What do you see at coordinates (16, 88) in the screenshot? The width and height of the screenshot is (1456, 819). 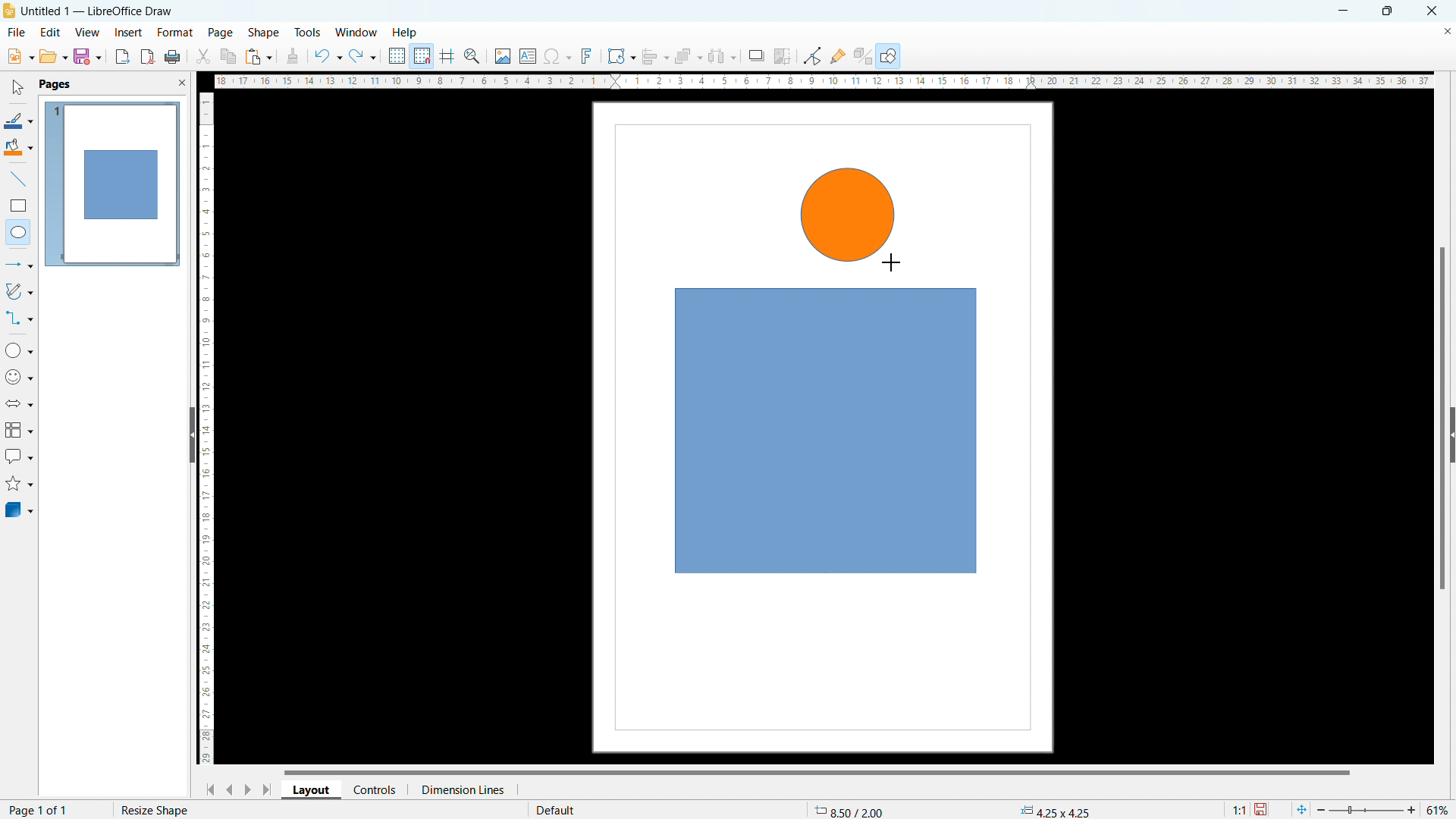 I see `select` at bounding box center [16, 88].